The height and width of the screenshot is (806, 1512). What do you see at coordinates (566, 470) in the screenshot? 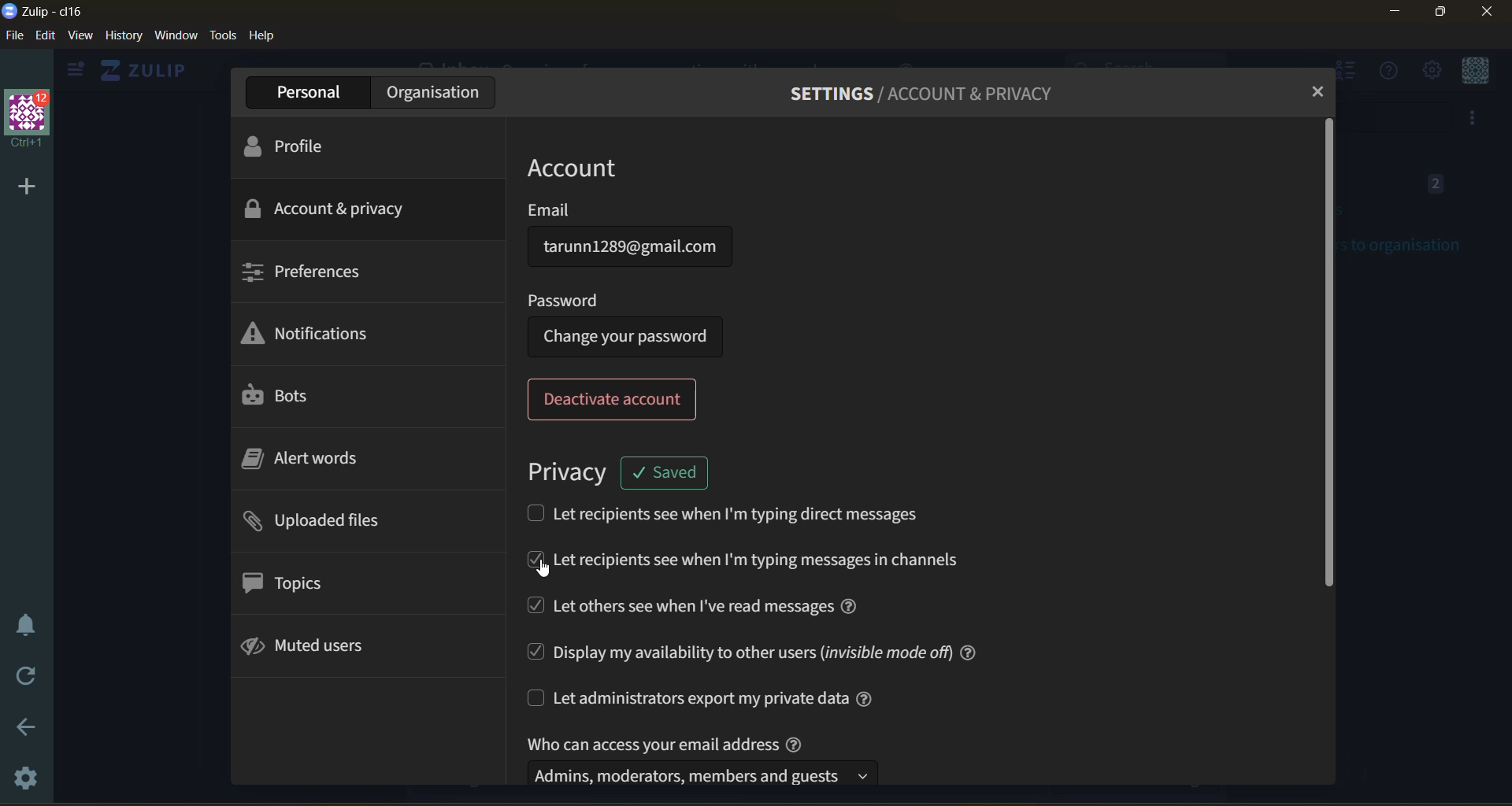
I see `privacy` at bounding box center [566, 470].